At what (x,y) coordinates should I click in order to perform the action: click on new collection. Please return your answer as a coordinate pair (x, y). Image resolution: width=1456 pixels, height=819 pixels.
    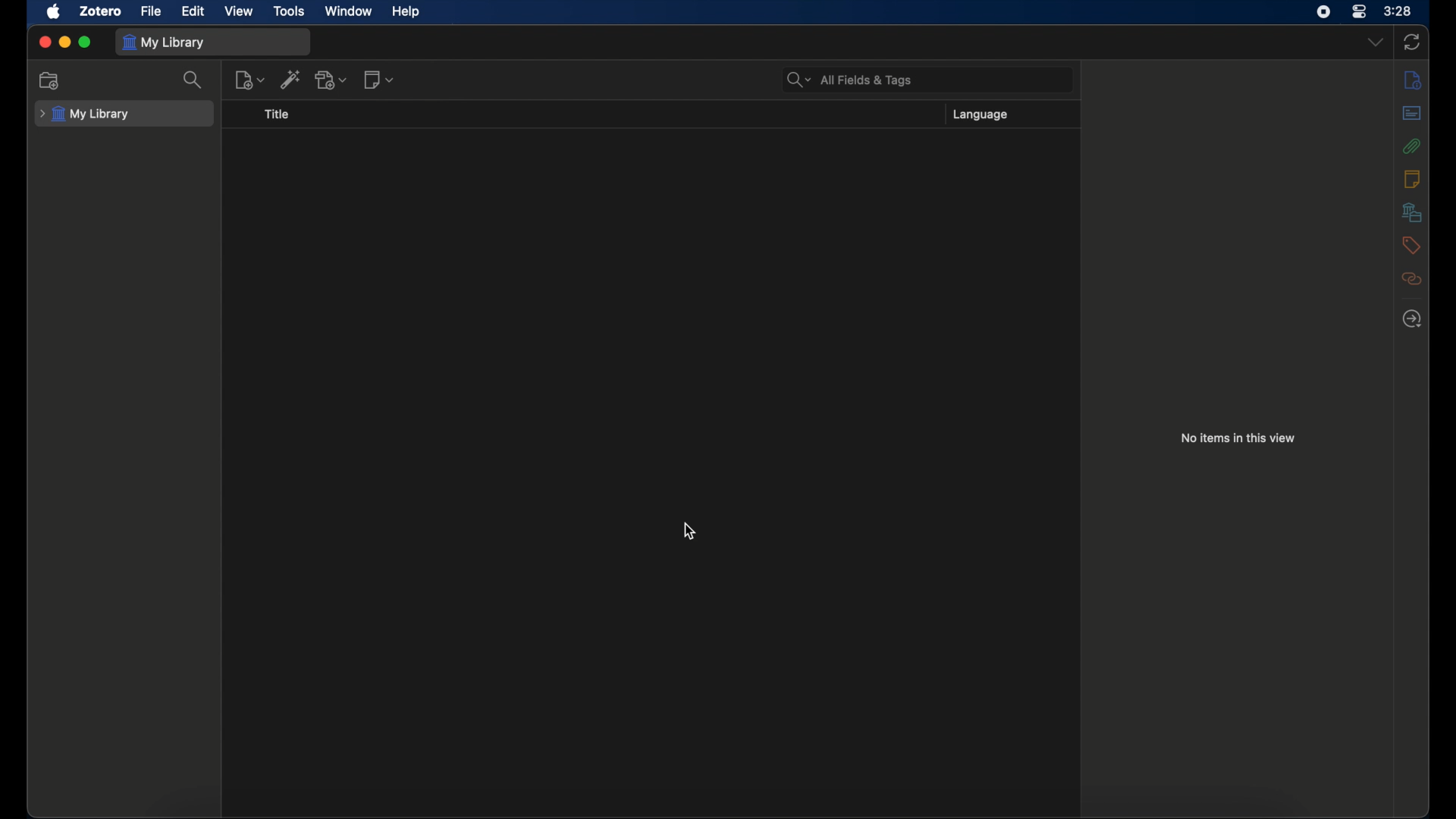
    Looking at the image, I should click on (51, 81).